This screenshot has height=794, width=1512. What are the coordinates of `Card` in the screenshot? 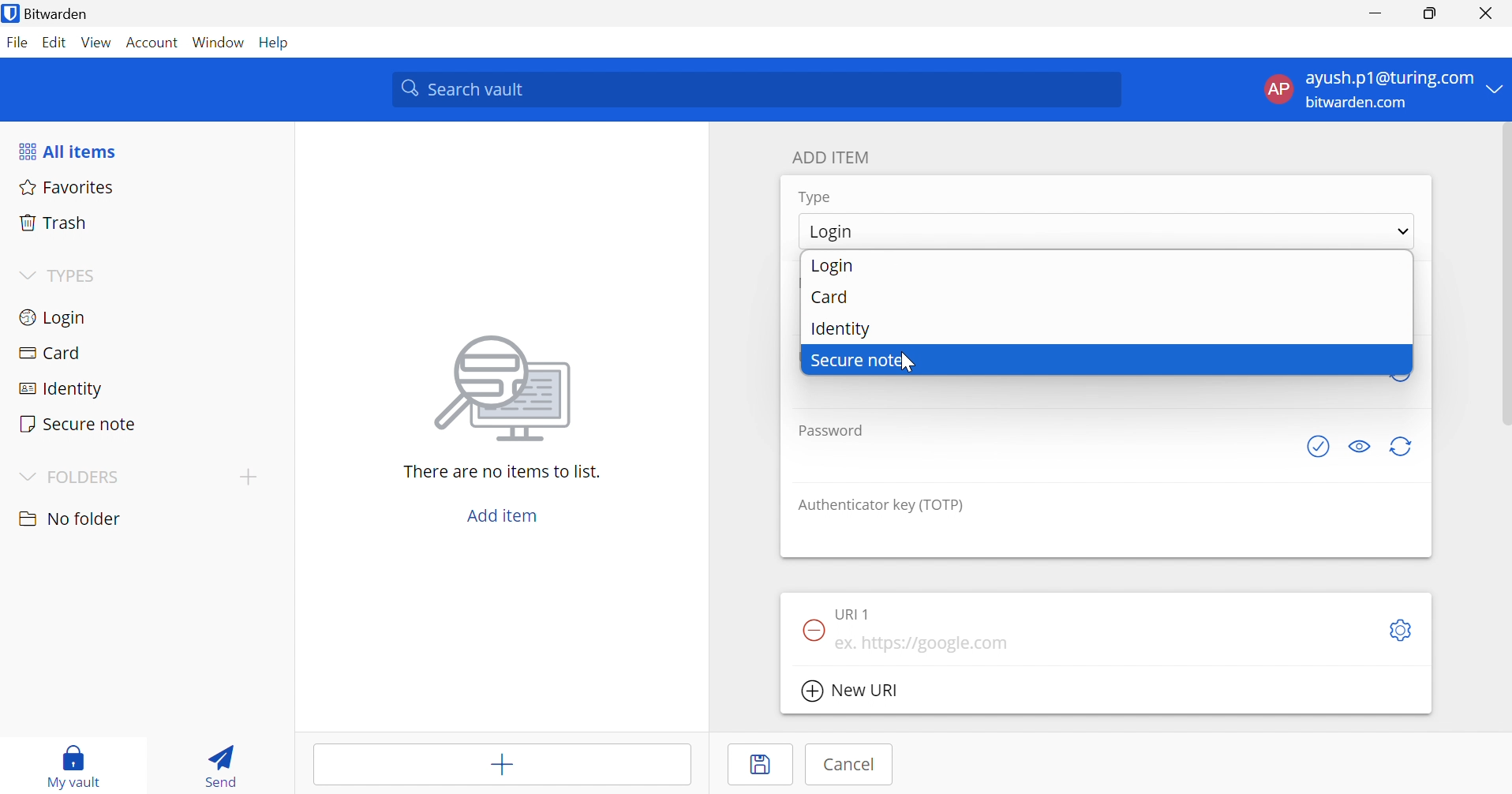 It's located at (829, 298).